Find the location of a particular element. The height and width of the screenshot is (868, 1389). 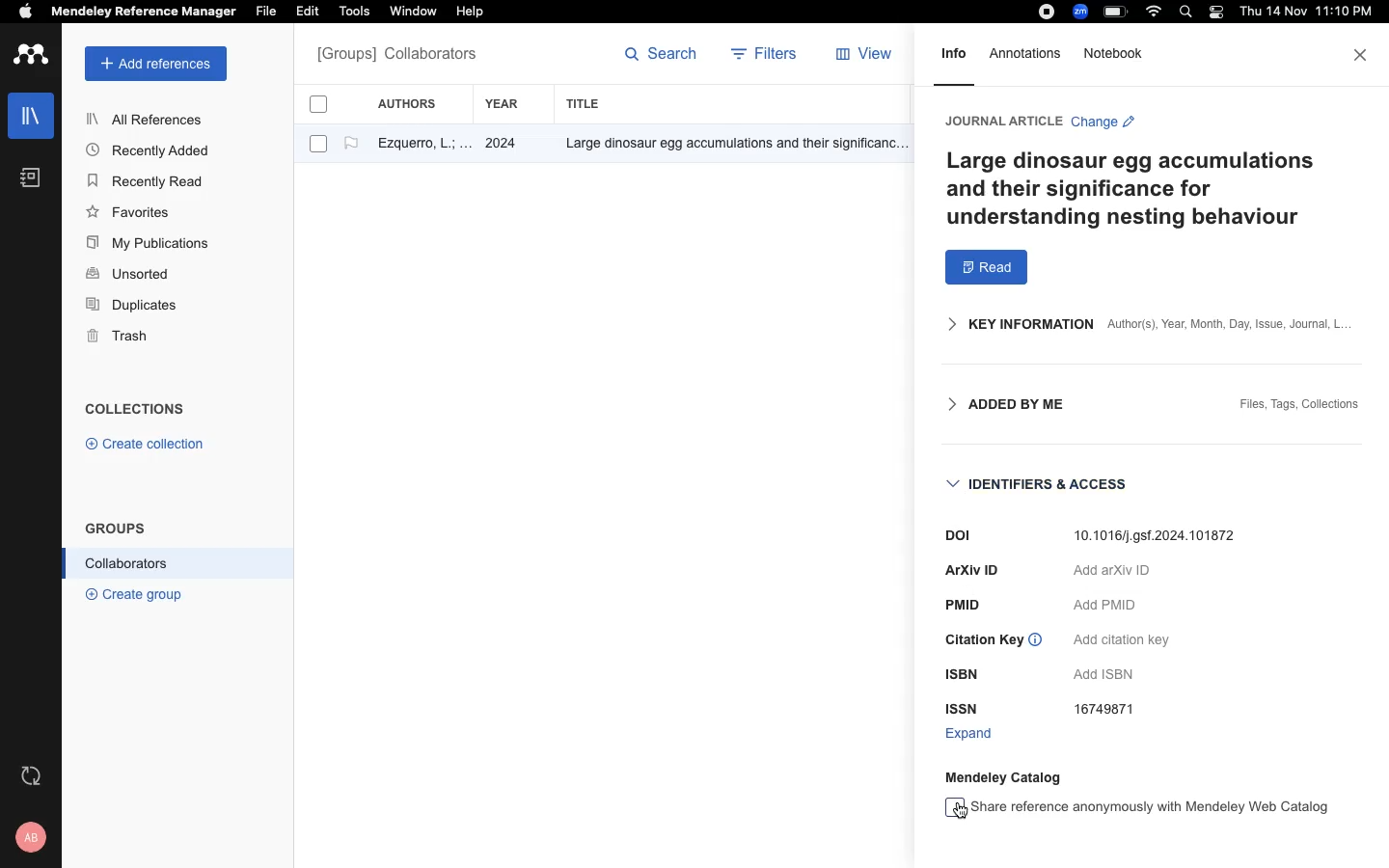

My Publications is located at coordinates (149, 246).